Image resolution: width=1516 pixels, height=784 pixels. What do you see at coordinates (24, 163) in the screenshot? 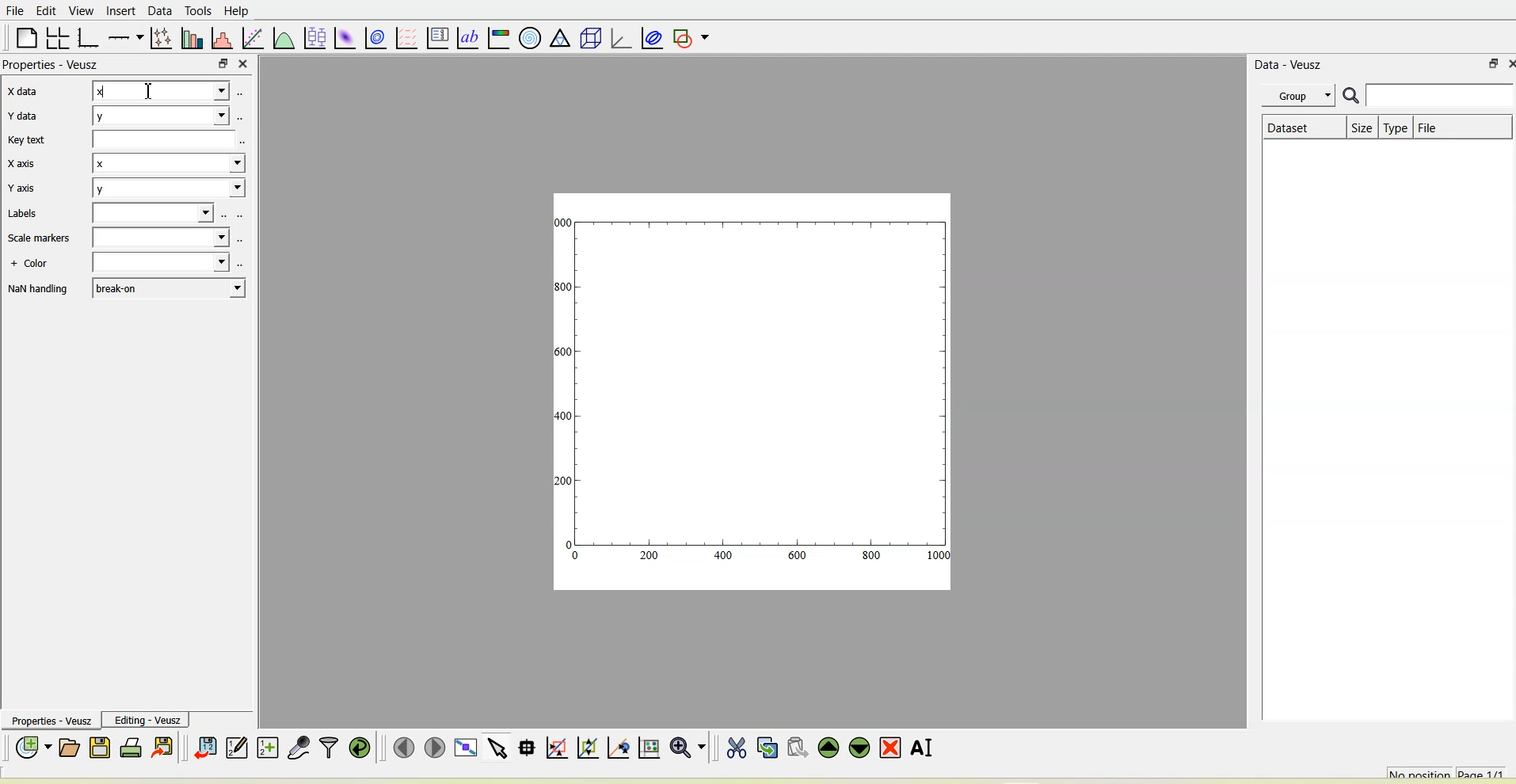
I see `X axis` at bounding box center [24, 163].